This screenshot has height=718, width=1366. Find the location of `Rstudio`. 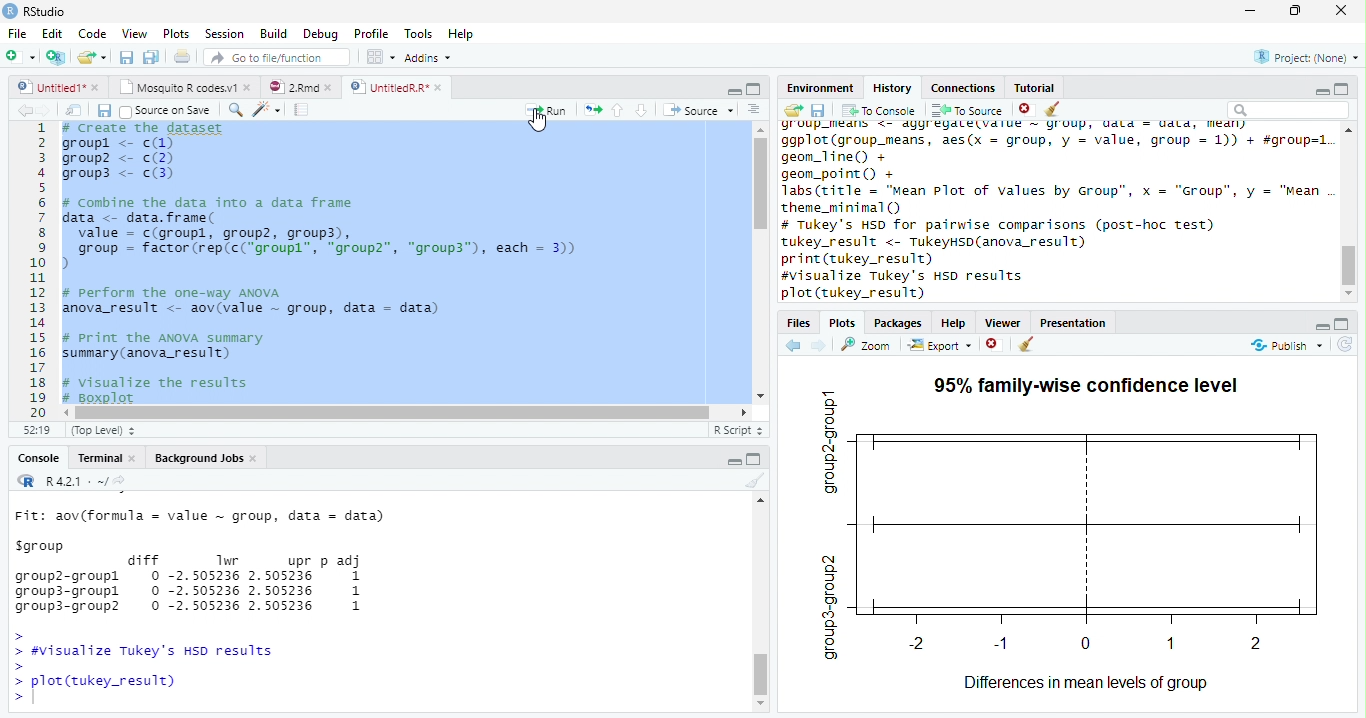

Rstudio is located at coordinates (33, 9).